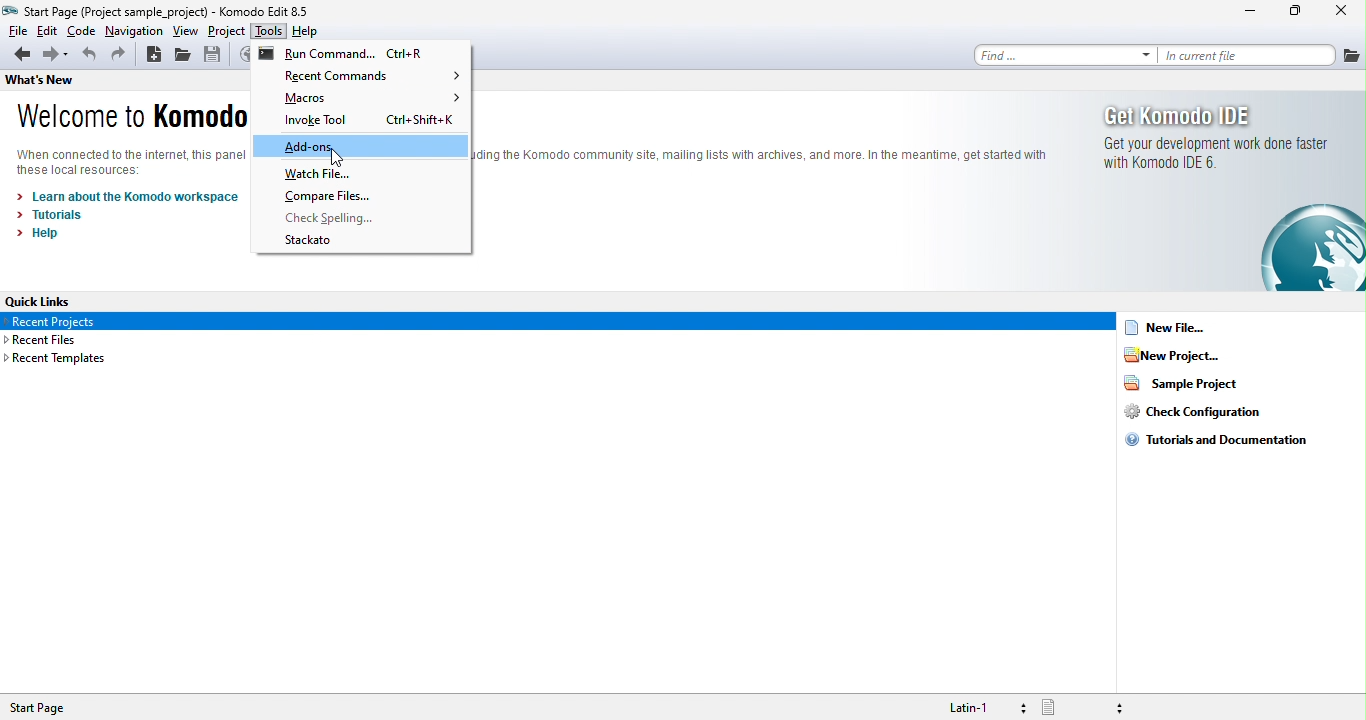  What do you see at coordinates (221, 56) in the screenshot?
I see `save` at bounding box center [221, 56].